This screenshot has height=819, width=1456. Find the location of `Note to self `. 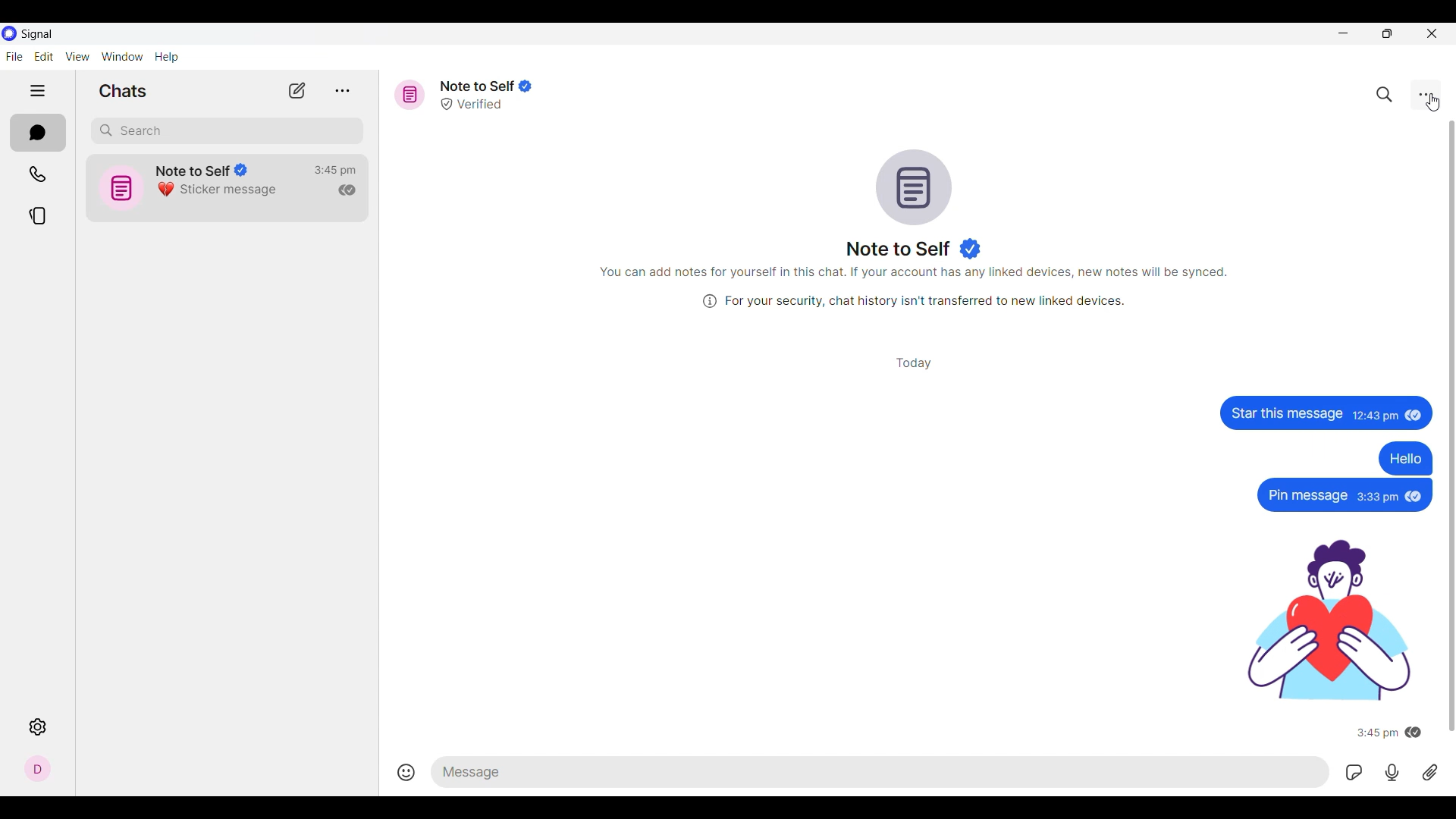

Note to self  is located at coordinates (485, 86).